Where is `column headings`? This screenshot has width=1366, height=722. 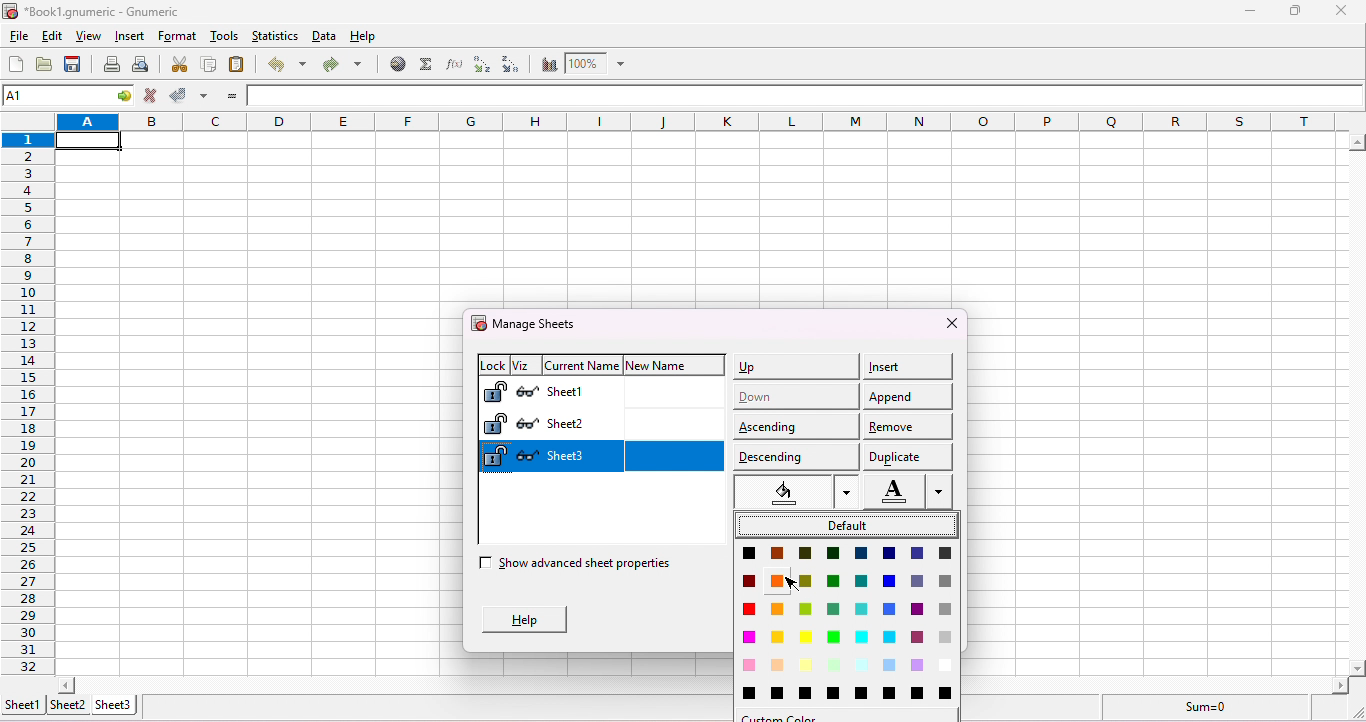 column headings is located at coordinates (705, 121).